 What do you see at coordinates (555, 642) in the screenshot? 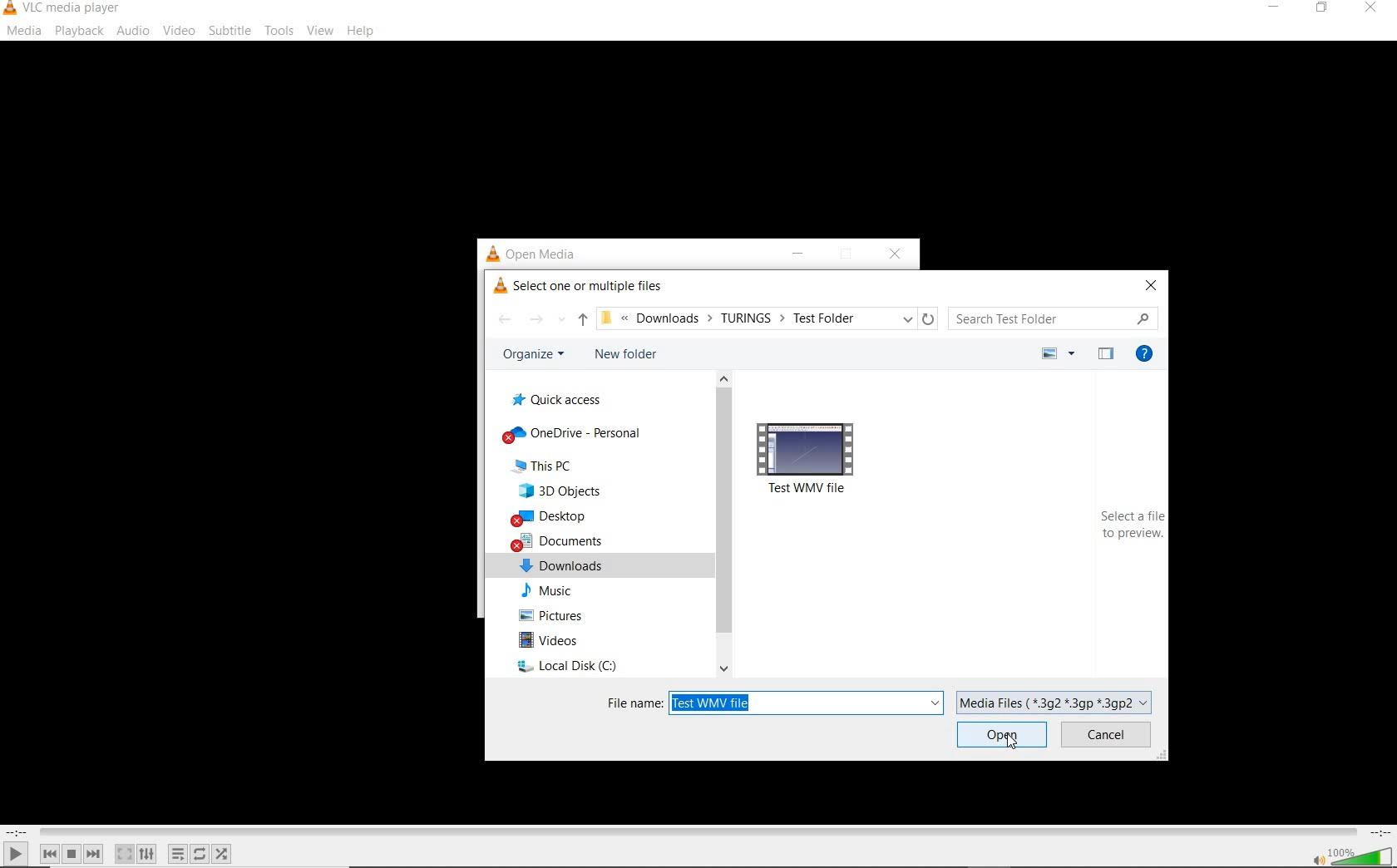
I see `videos` at bounding box center [555, 642].